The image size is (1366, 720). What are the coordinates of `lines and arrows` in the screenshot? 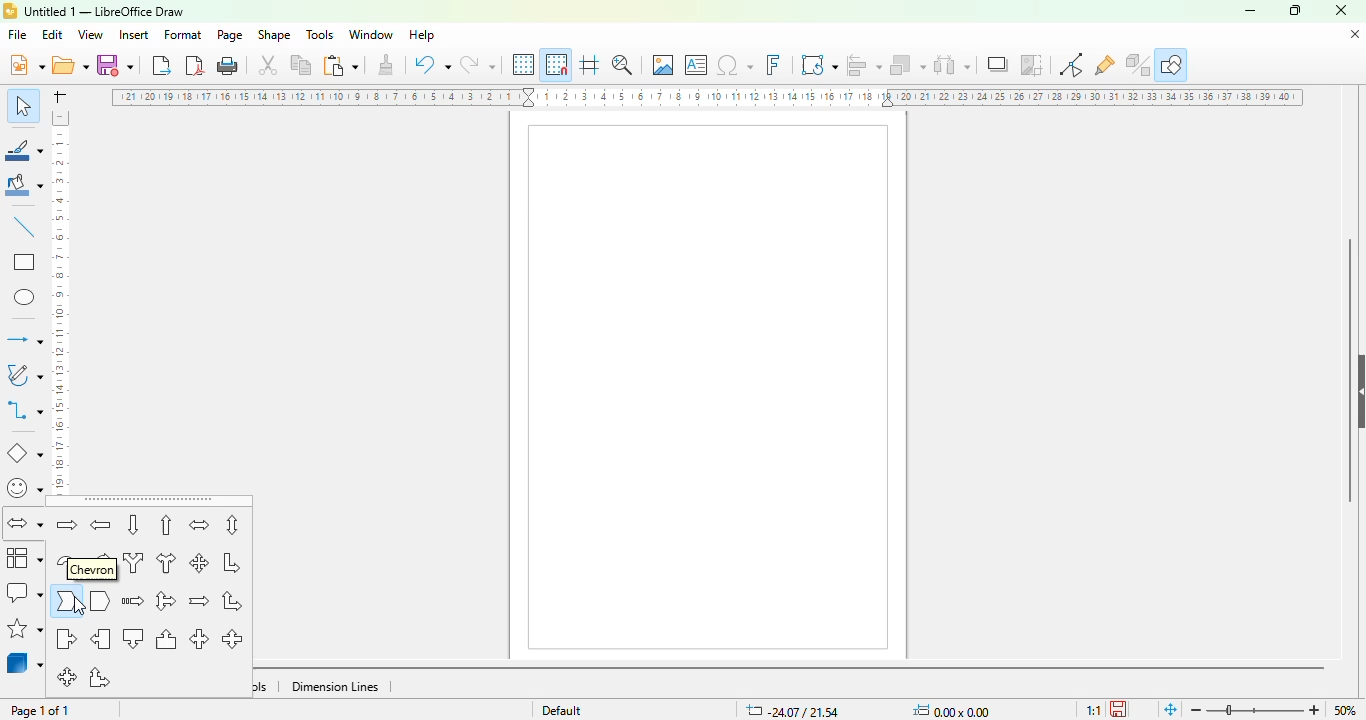 It's located at (24, 339).